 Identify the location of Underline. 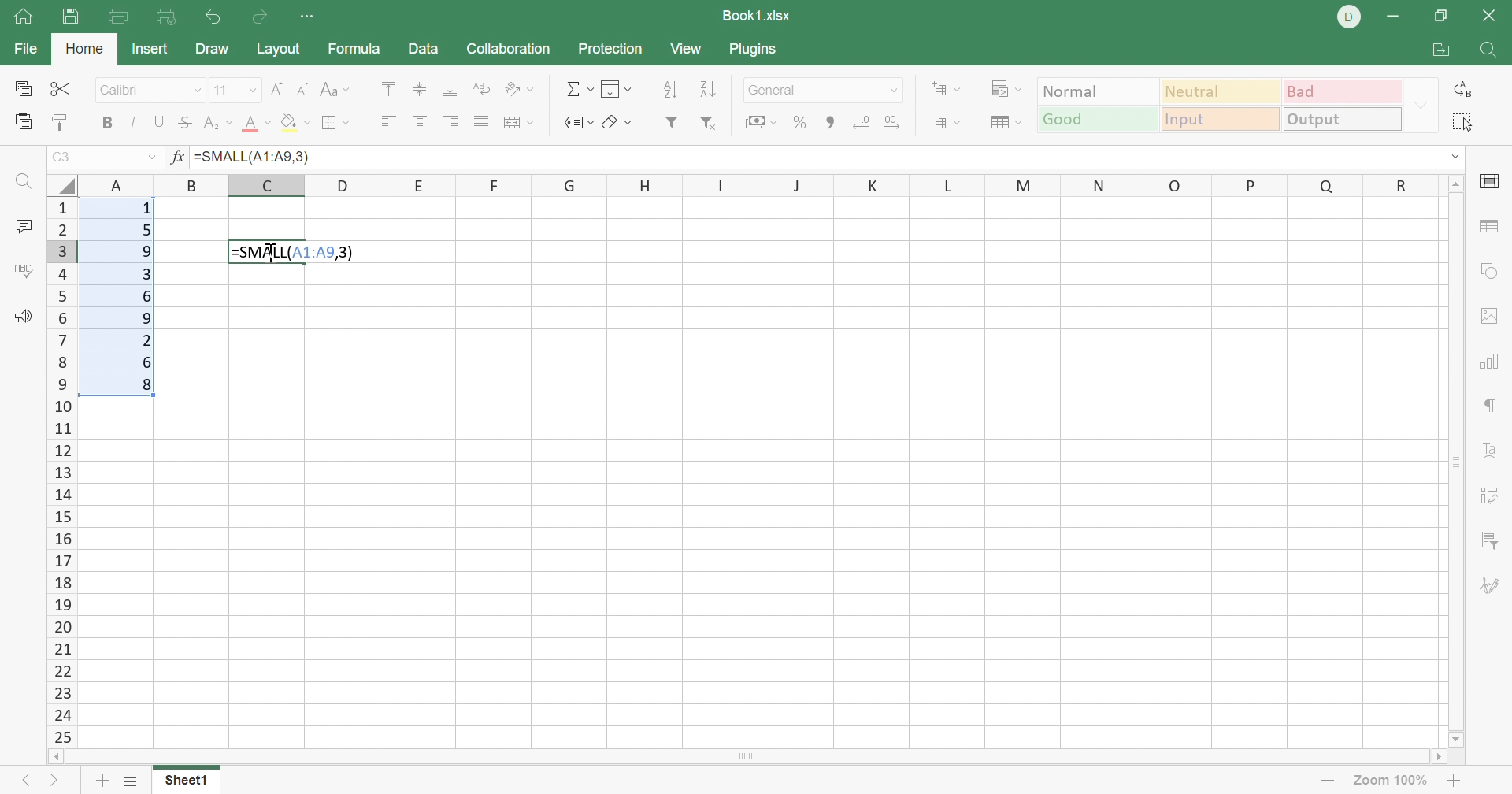
(161, 121).